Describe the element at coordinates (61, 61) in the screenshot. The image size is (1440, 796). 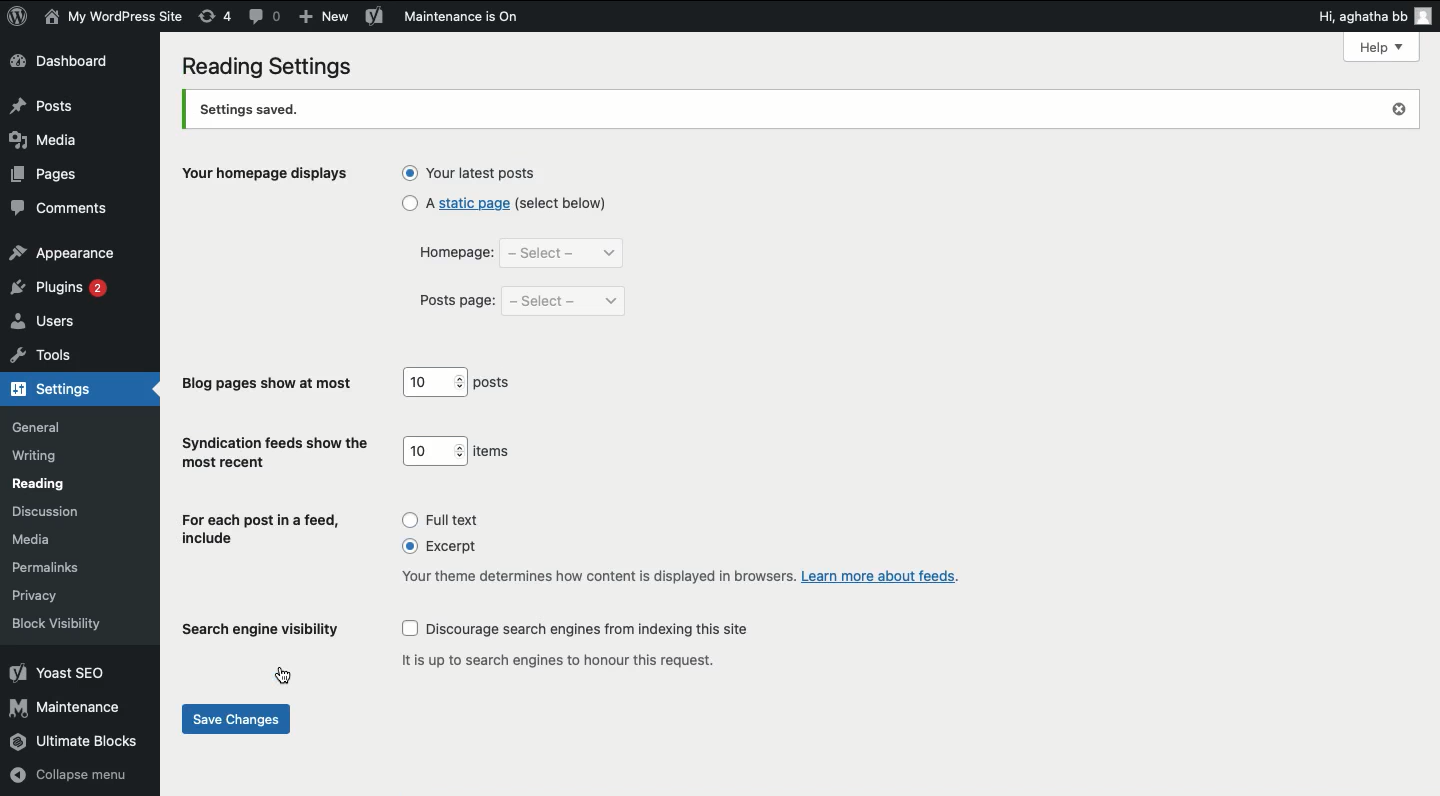
I see `dashboard ` at that location.